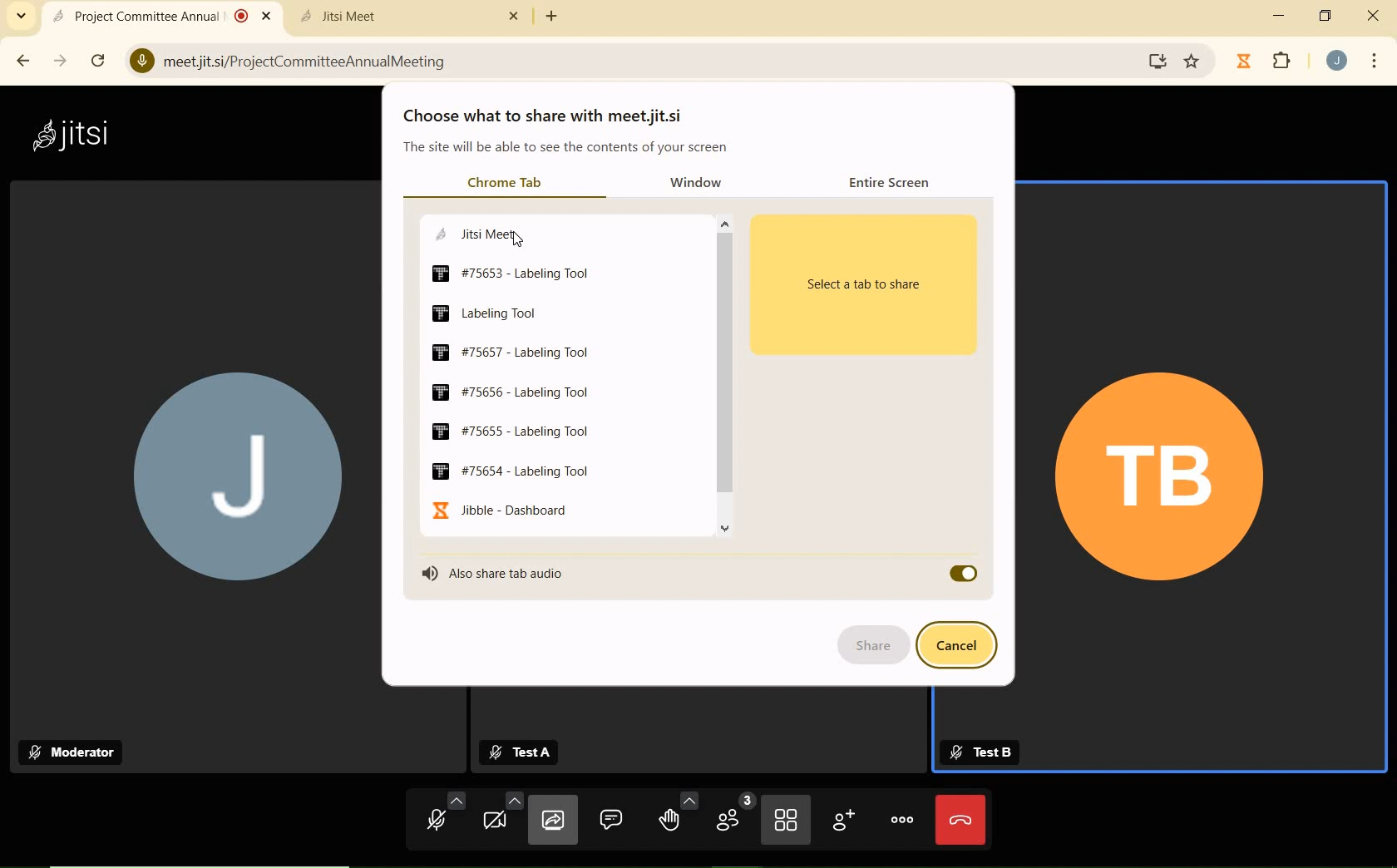 The height and width of the screenshot is (868, 1397). What do you see at coordinates (501, 312) in the screenshot?
I see ` Labeling Tool` at bounding box center [501, 312].